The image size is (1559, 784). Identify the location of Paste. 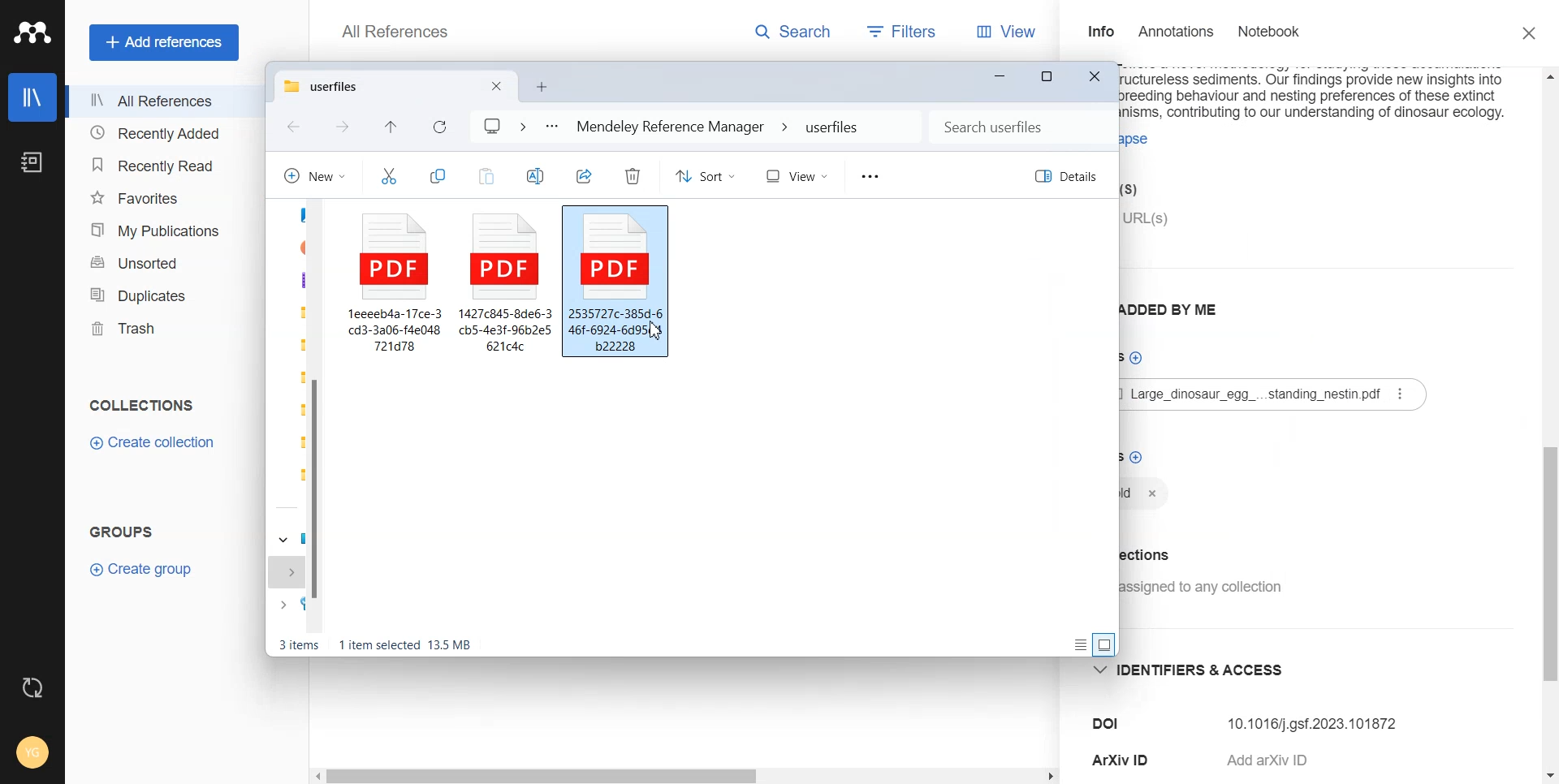
(486, 175).